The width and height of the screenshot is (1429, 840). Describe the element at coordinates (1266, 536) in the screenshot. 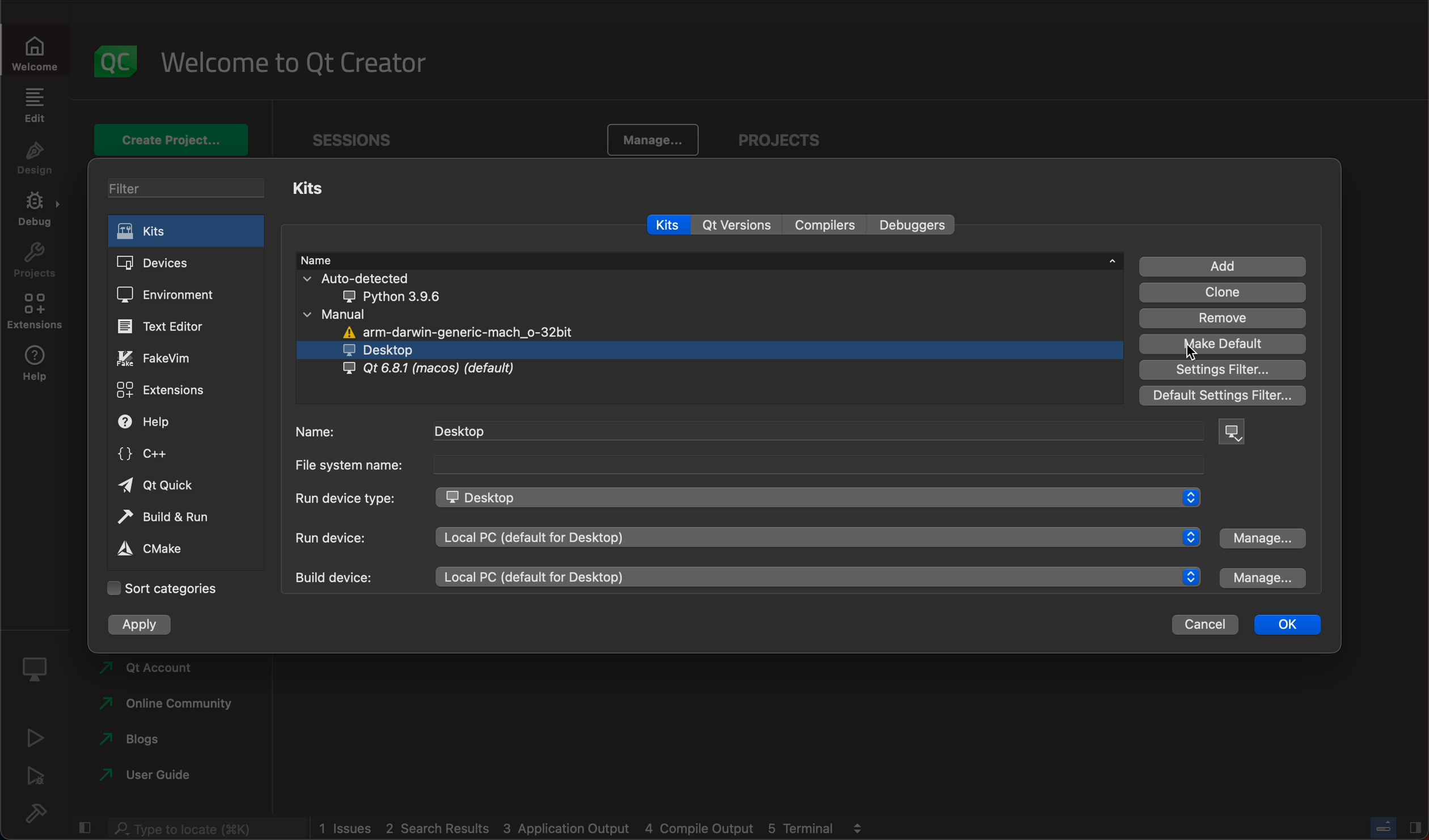

I see `manage` at that location.